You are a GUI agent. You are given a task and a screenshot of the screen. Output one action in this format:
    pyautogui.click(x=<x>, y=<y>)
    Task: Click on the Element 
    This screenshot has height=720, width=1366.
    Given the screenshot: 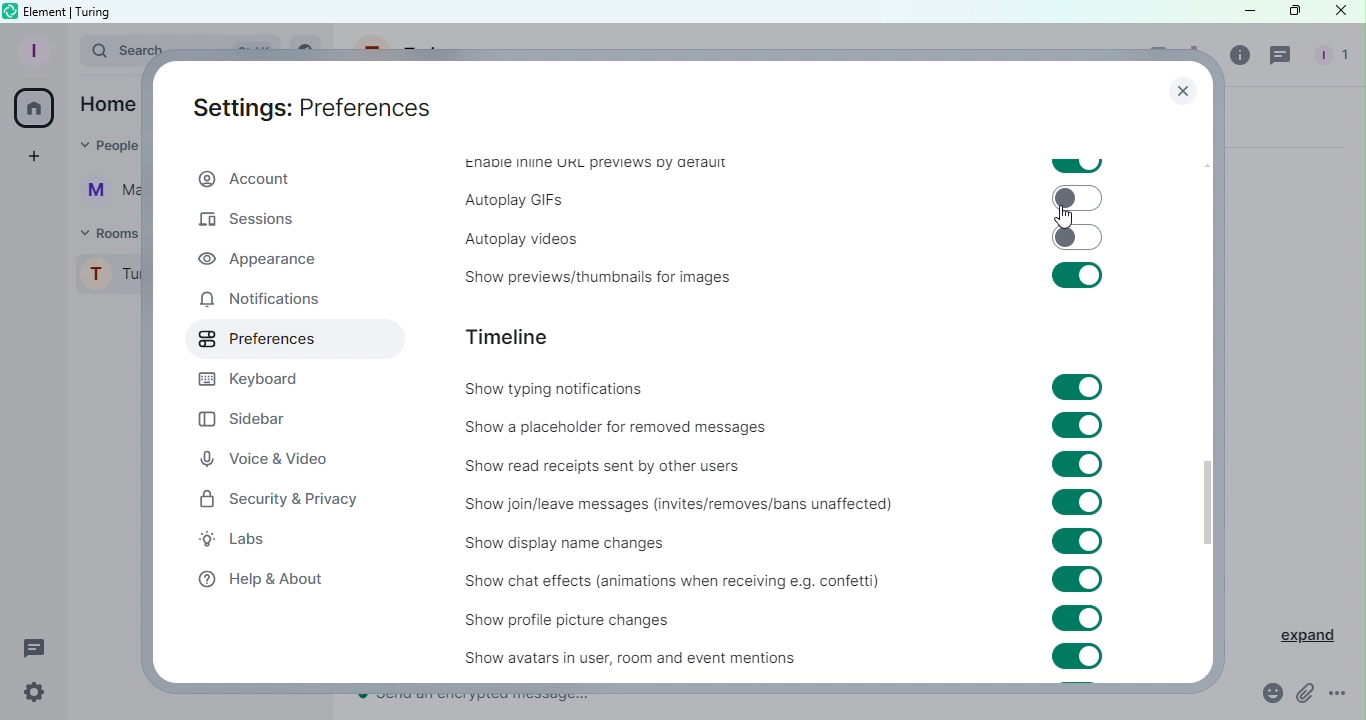 What is the action you would take?
    pyautogui.click(x=47, y=10)
    